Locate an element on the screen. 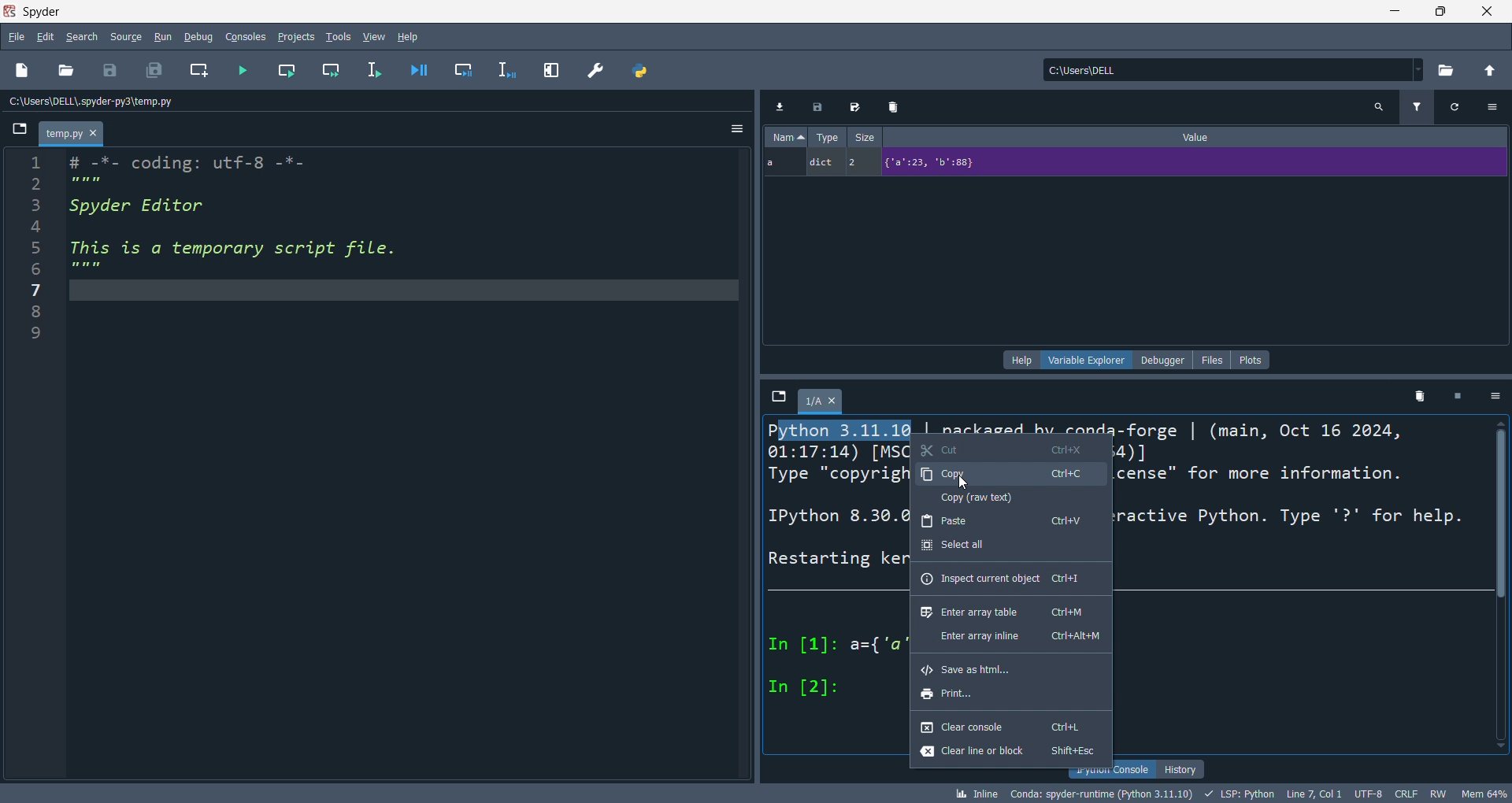 This screenshot has width=1512, height=803. minimize is located at coordinates (1386, 12).